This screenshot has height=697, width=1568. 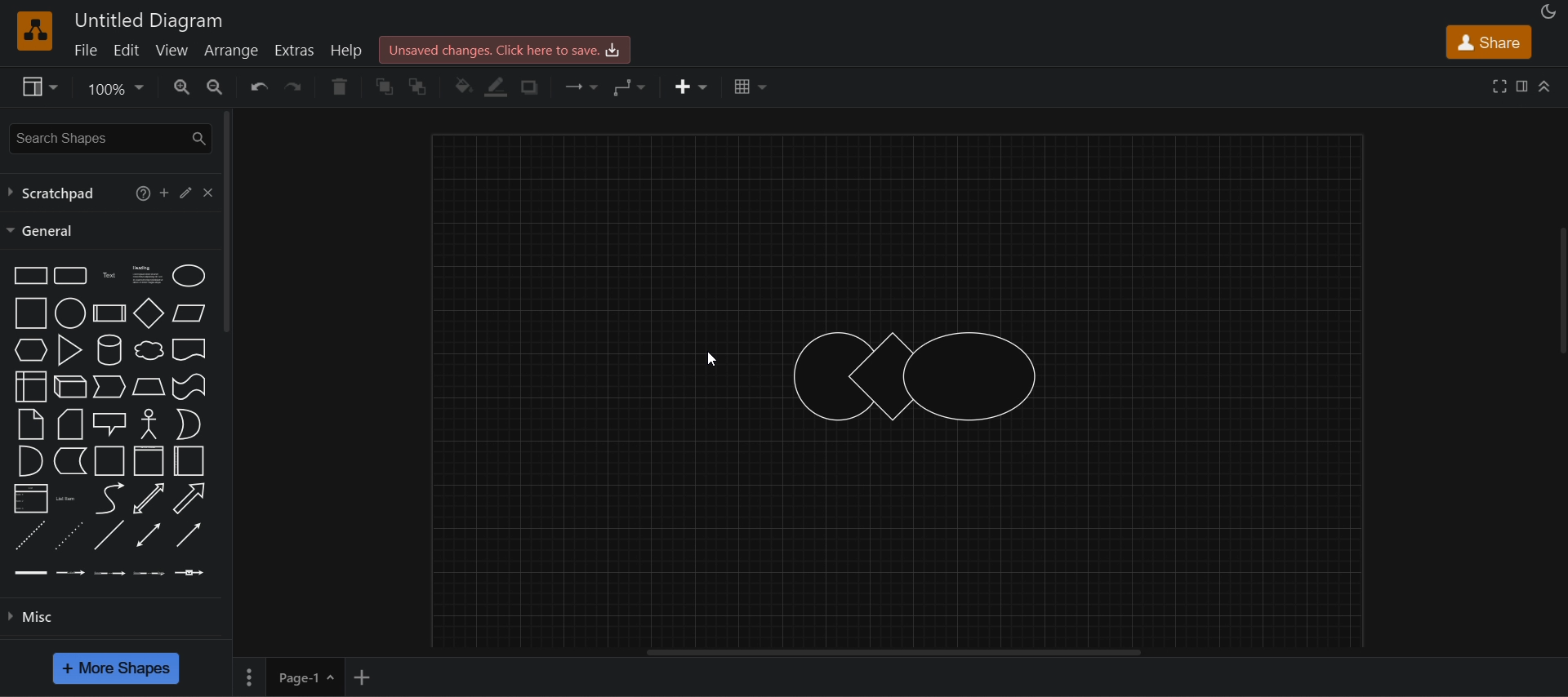 What do you see at coordinates (69, 313) in the screenshot?
I see `circle` at bounding box center [69, 313].